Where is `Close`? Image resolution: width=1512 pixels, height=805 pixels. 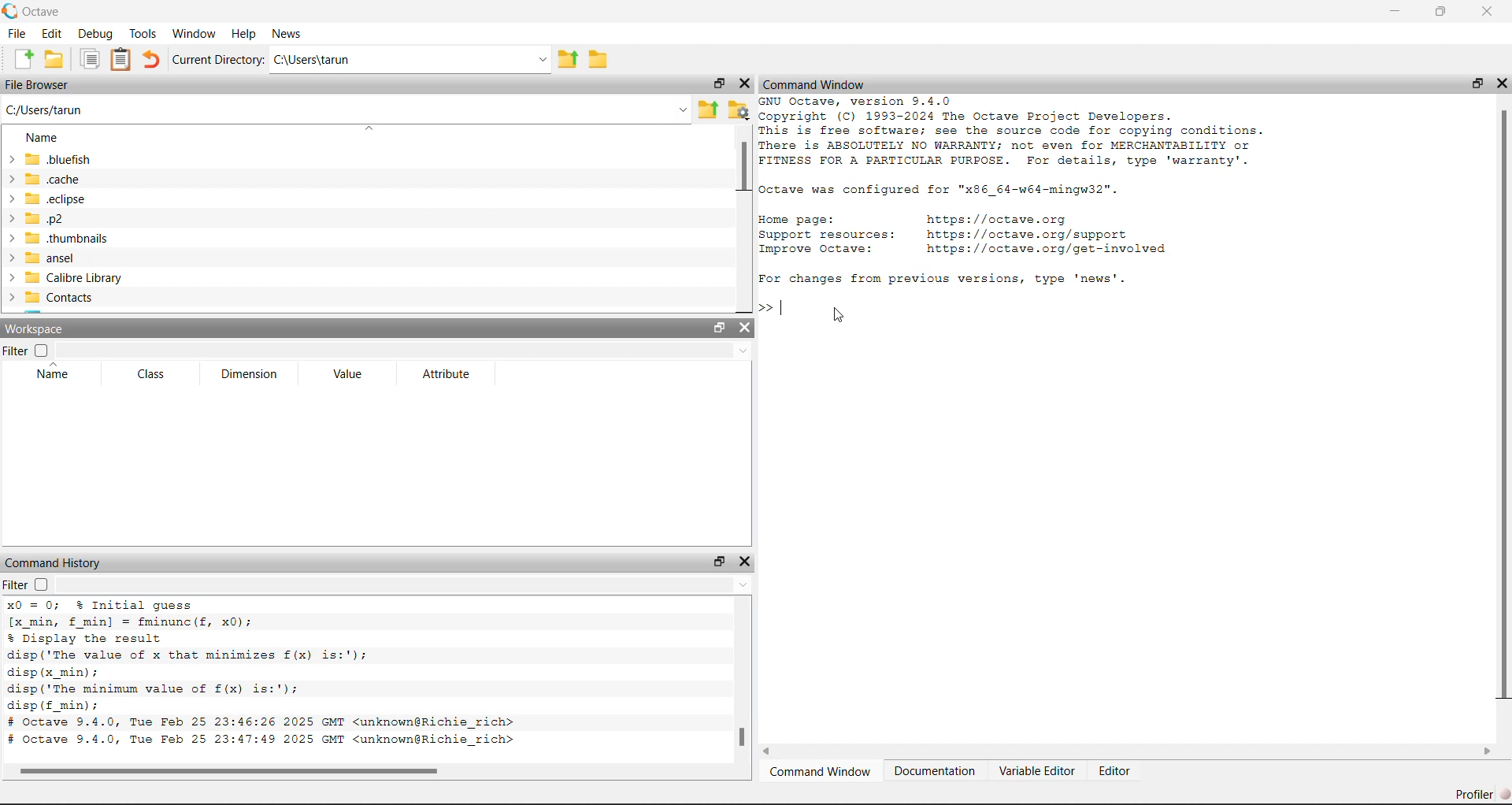
Close is located at coordinates (750, 561).